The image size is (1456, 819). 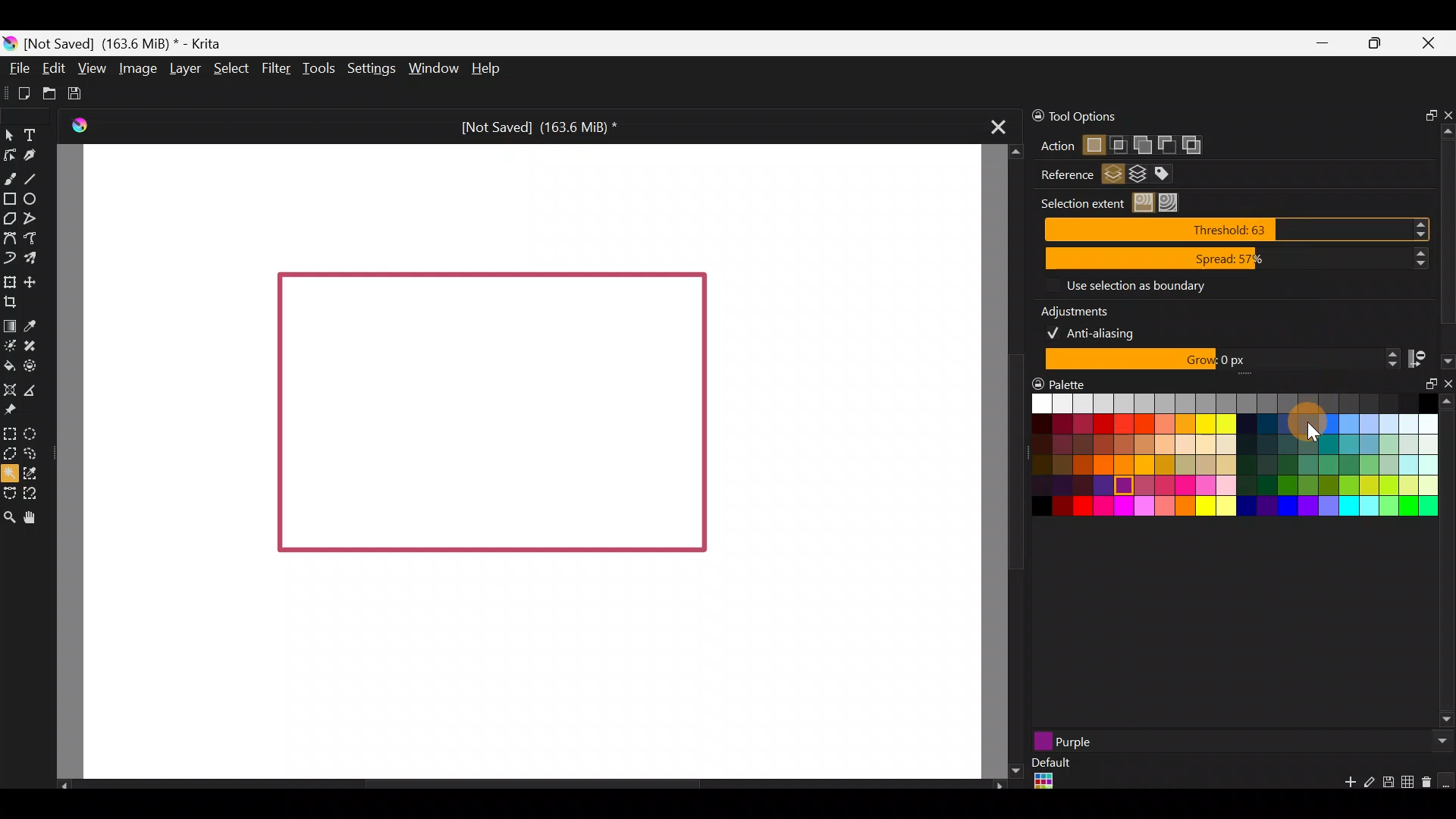 I want to click on Subtract, so click(x=1166, y=143).